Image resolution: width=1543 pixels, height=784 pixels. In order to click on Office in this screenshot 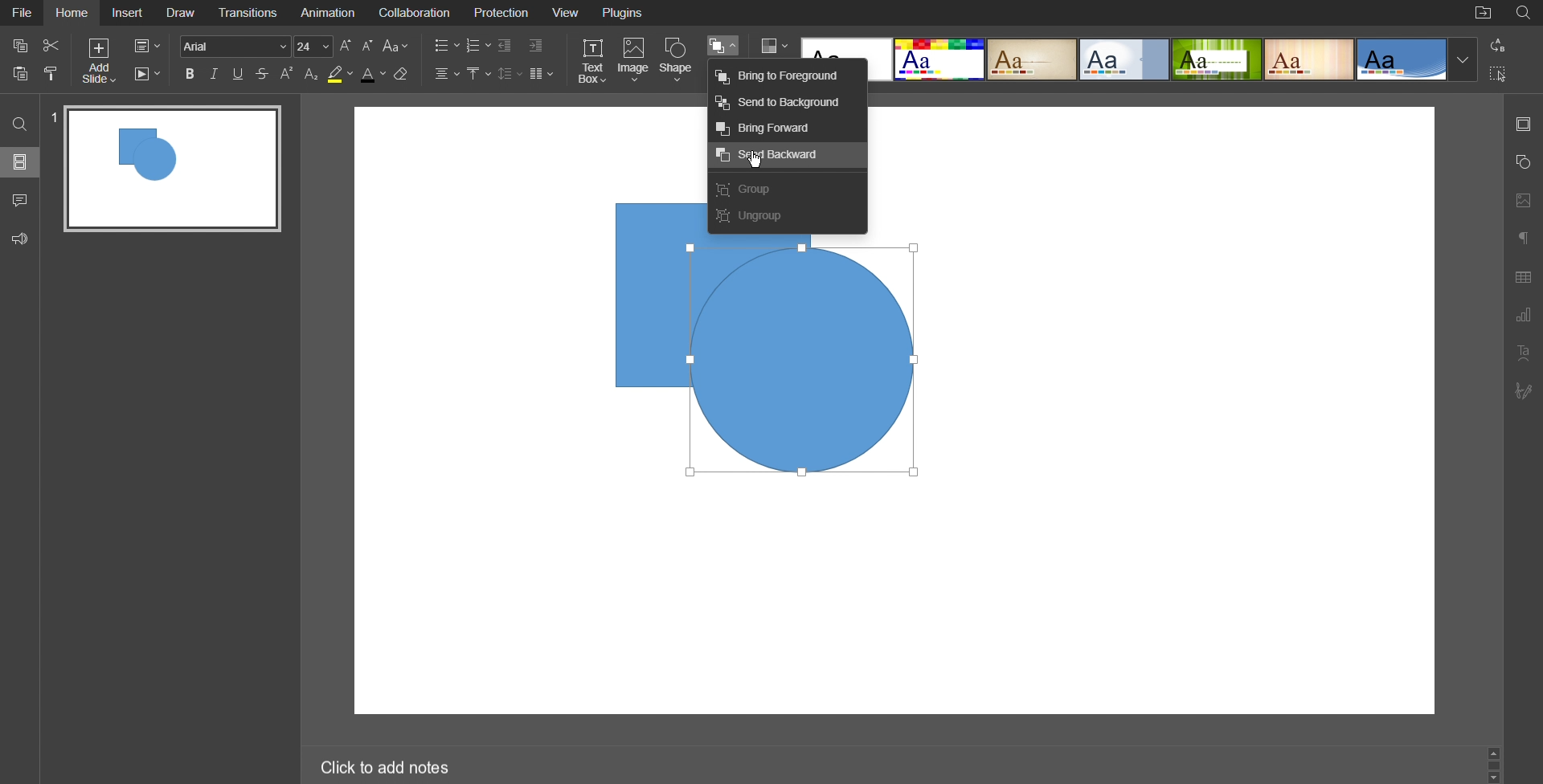, I will do `click(1403, 59)`.